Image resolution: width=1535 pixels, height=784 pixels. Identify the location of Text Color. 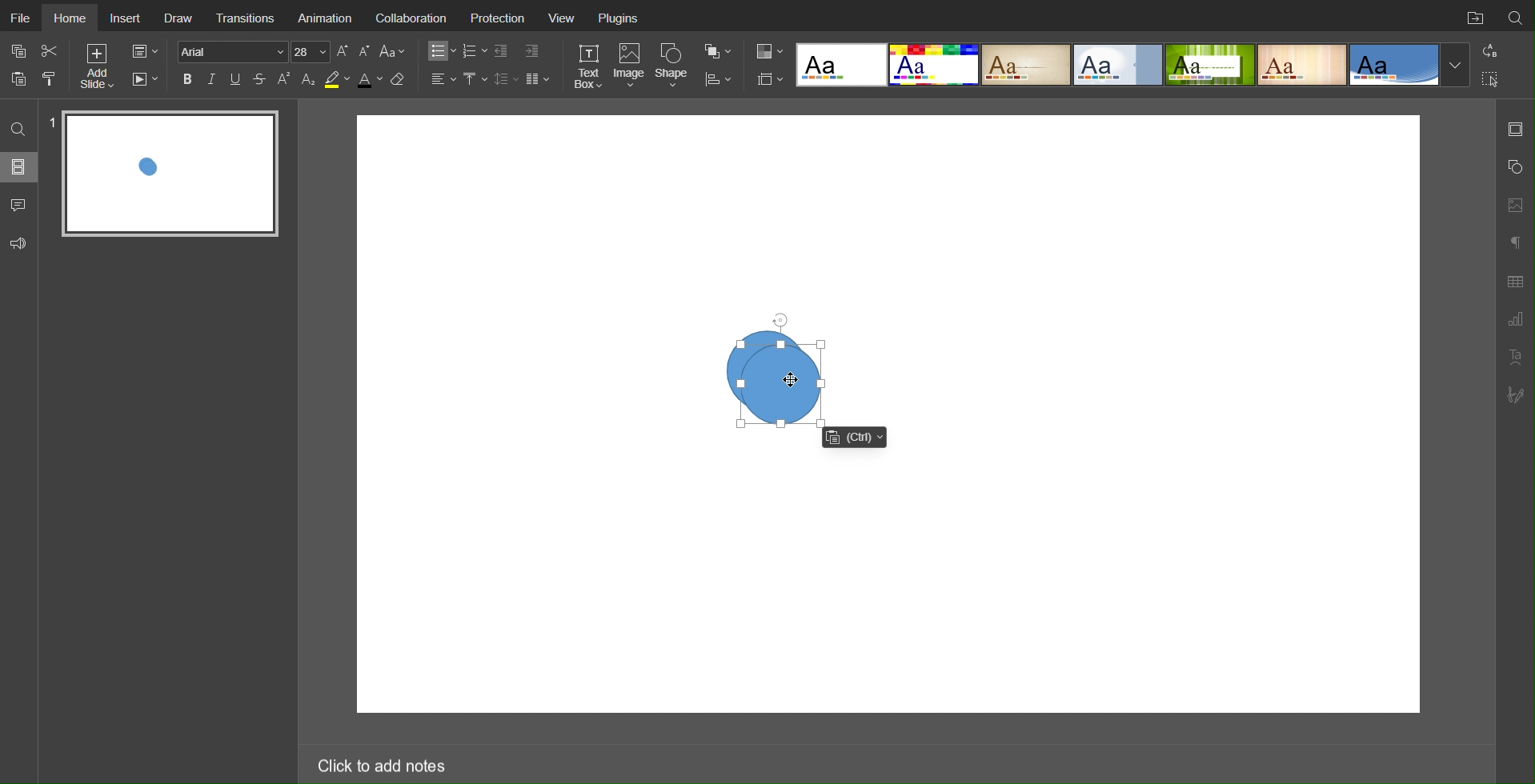
(369, 80).